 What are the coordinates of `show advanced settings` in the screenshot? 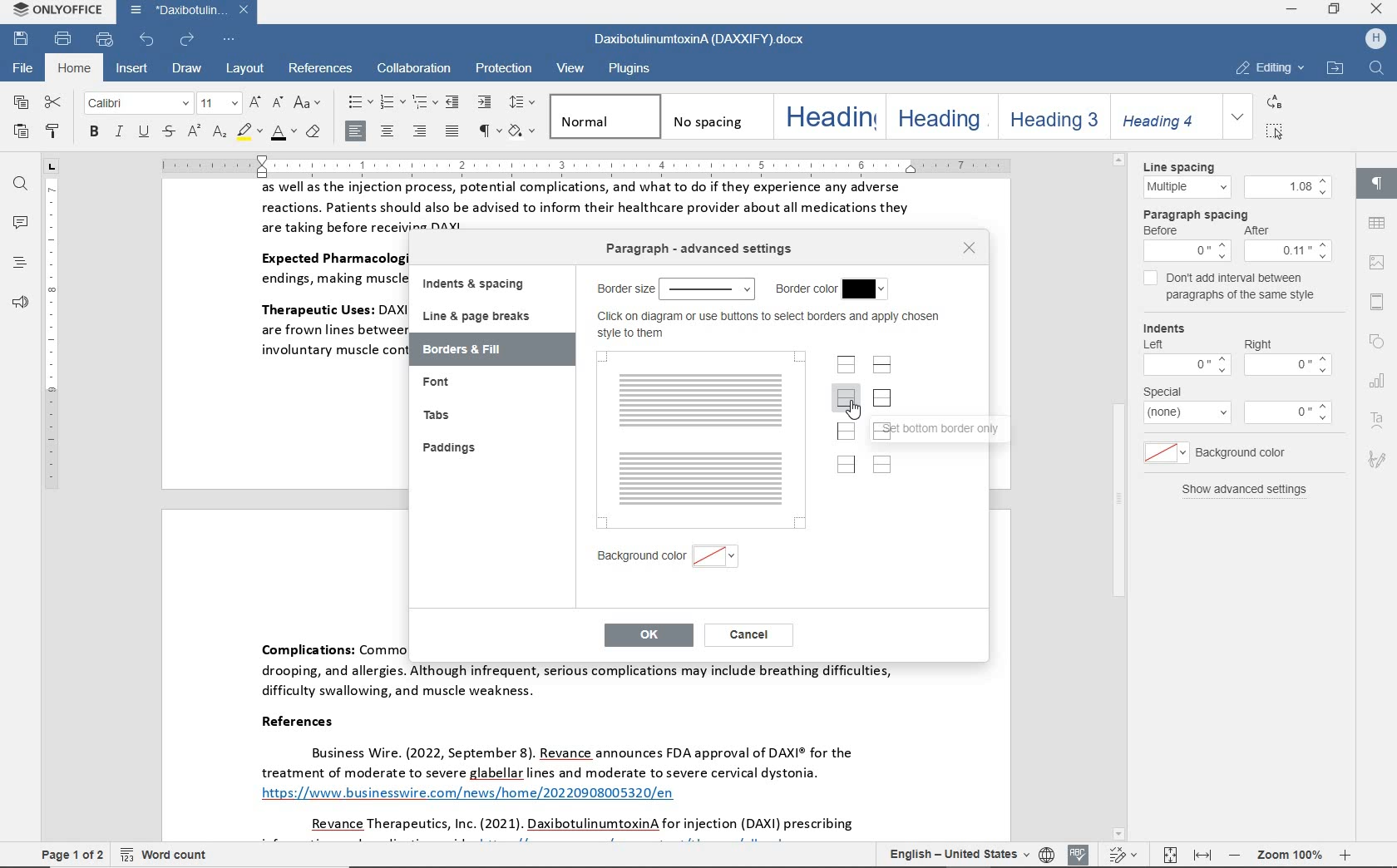 It's located at (1237, 490).